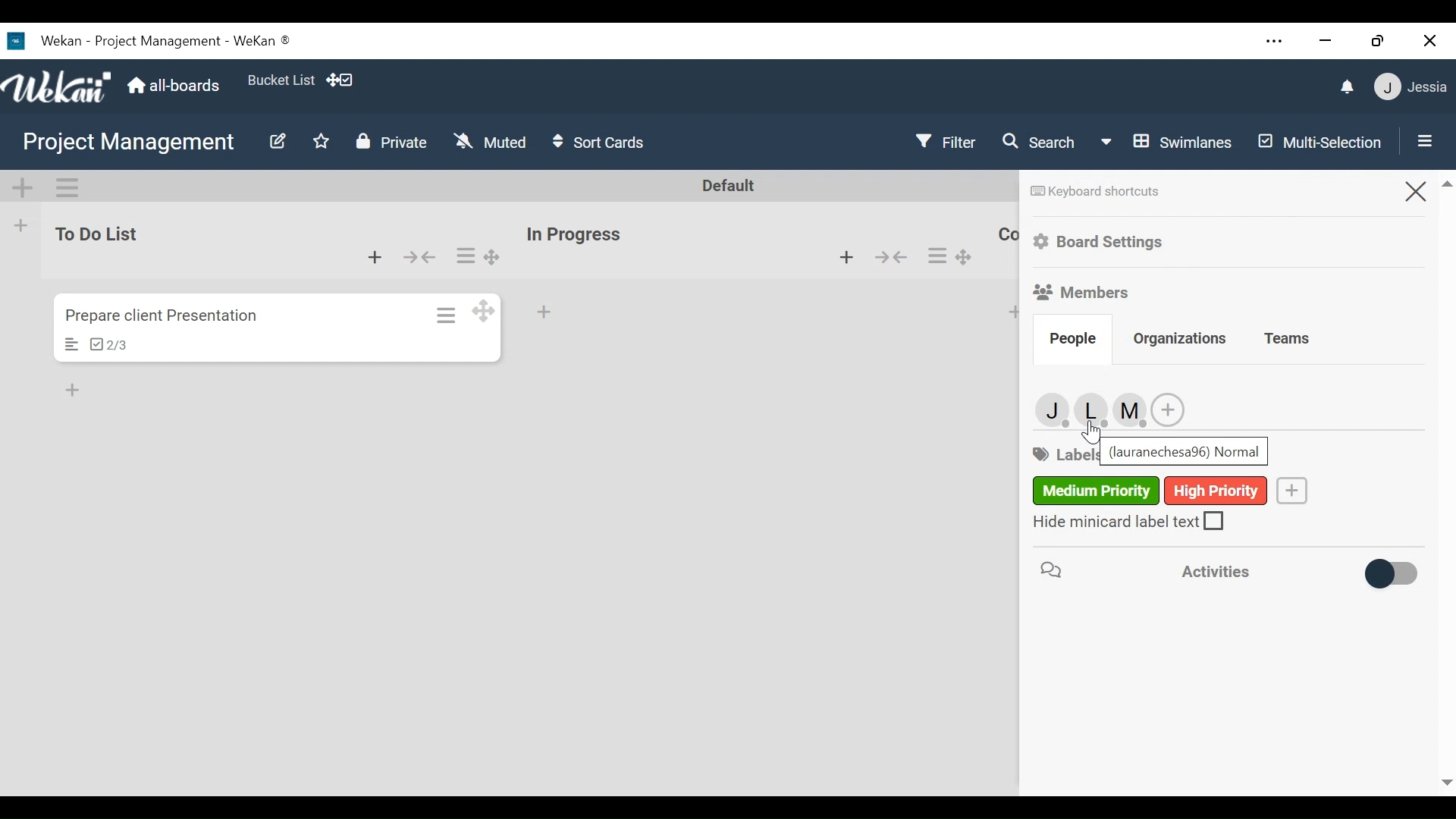  Describe the element at coordinates (545, 313) in the screenshot. I see `Add card to bottom of the list` at that location.